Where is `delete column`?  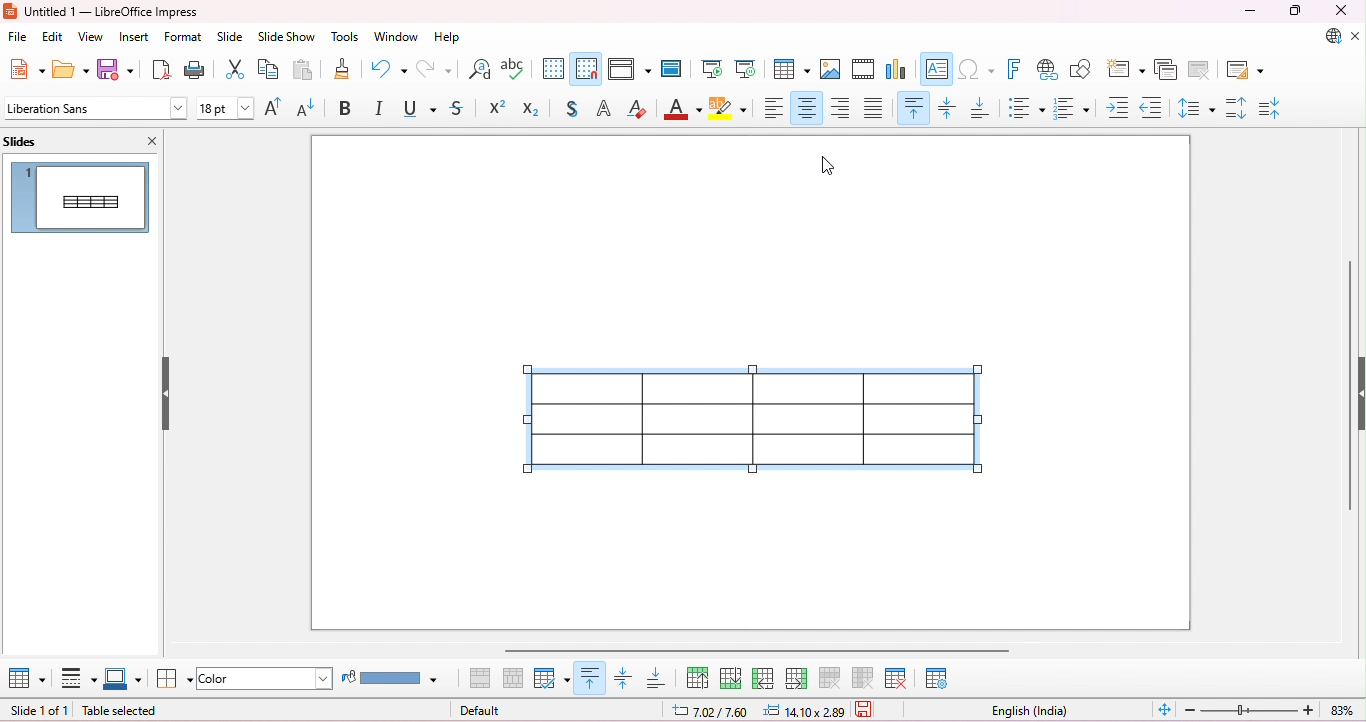
delete column is located at coordinates (866, 679).